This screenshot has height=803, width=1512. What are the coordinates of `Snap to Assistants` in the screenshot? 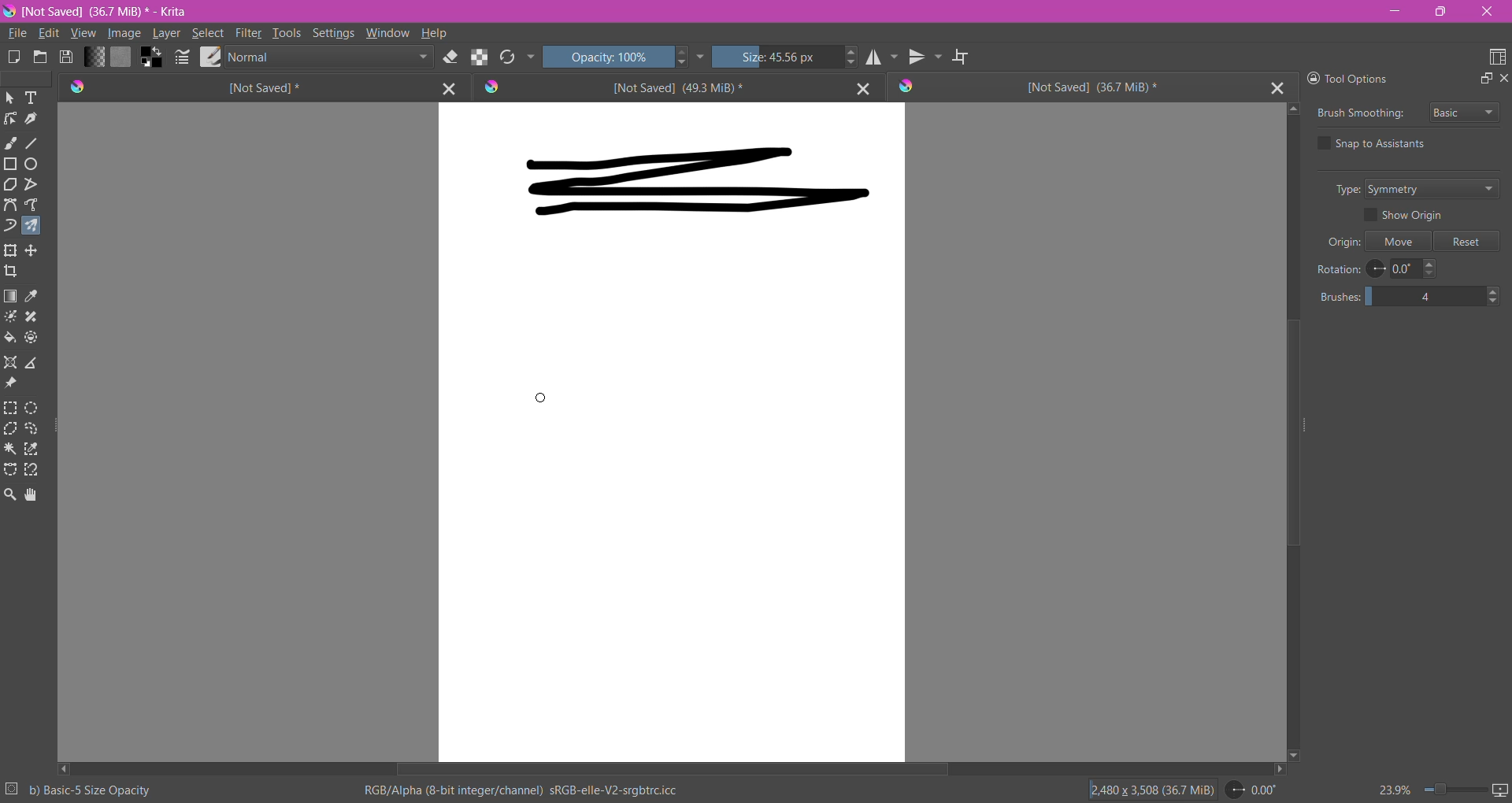 It's located at (1387, 144).